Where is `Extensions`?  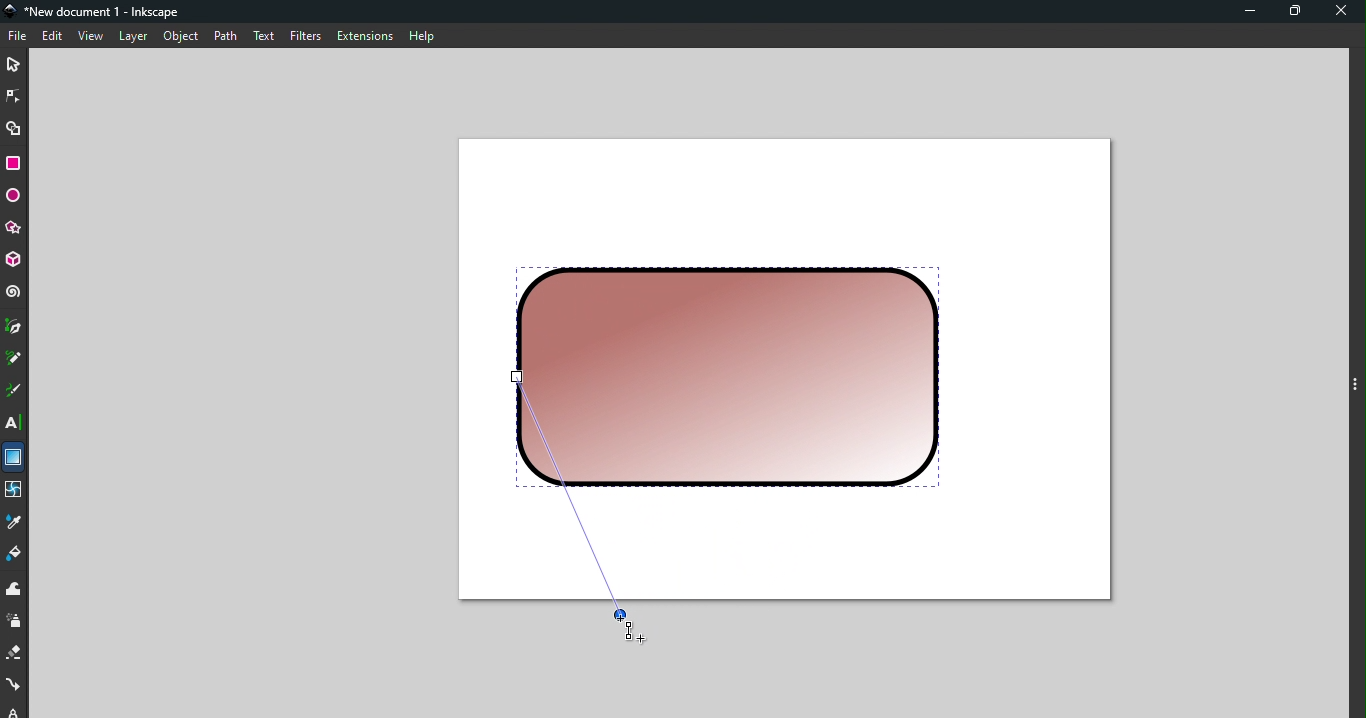
Extensions is located at coordinates (363, 36).